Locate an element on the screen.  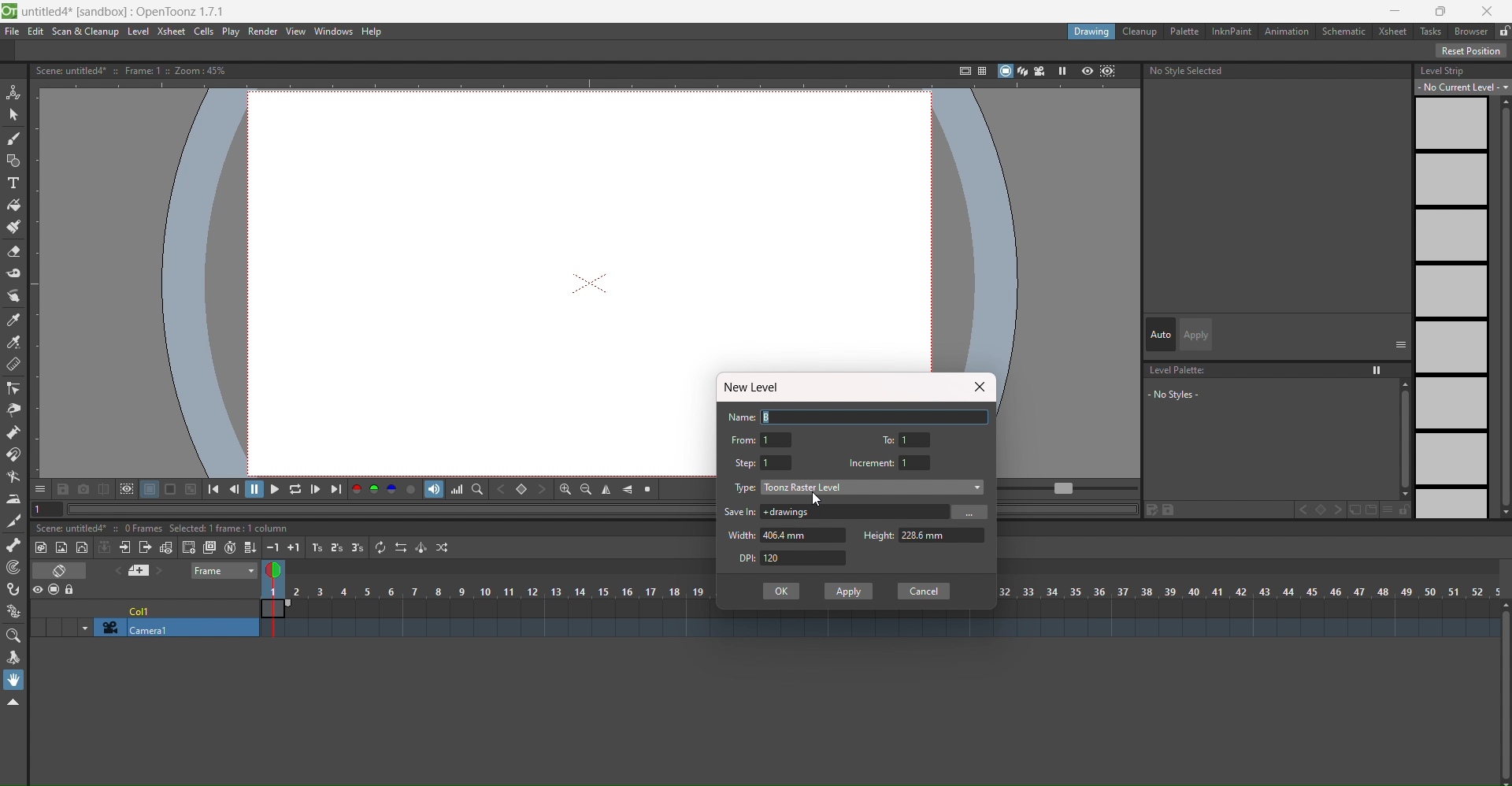
RGB channel is located at coordinates (374, 489).